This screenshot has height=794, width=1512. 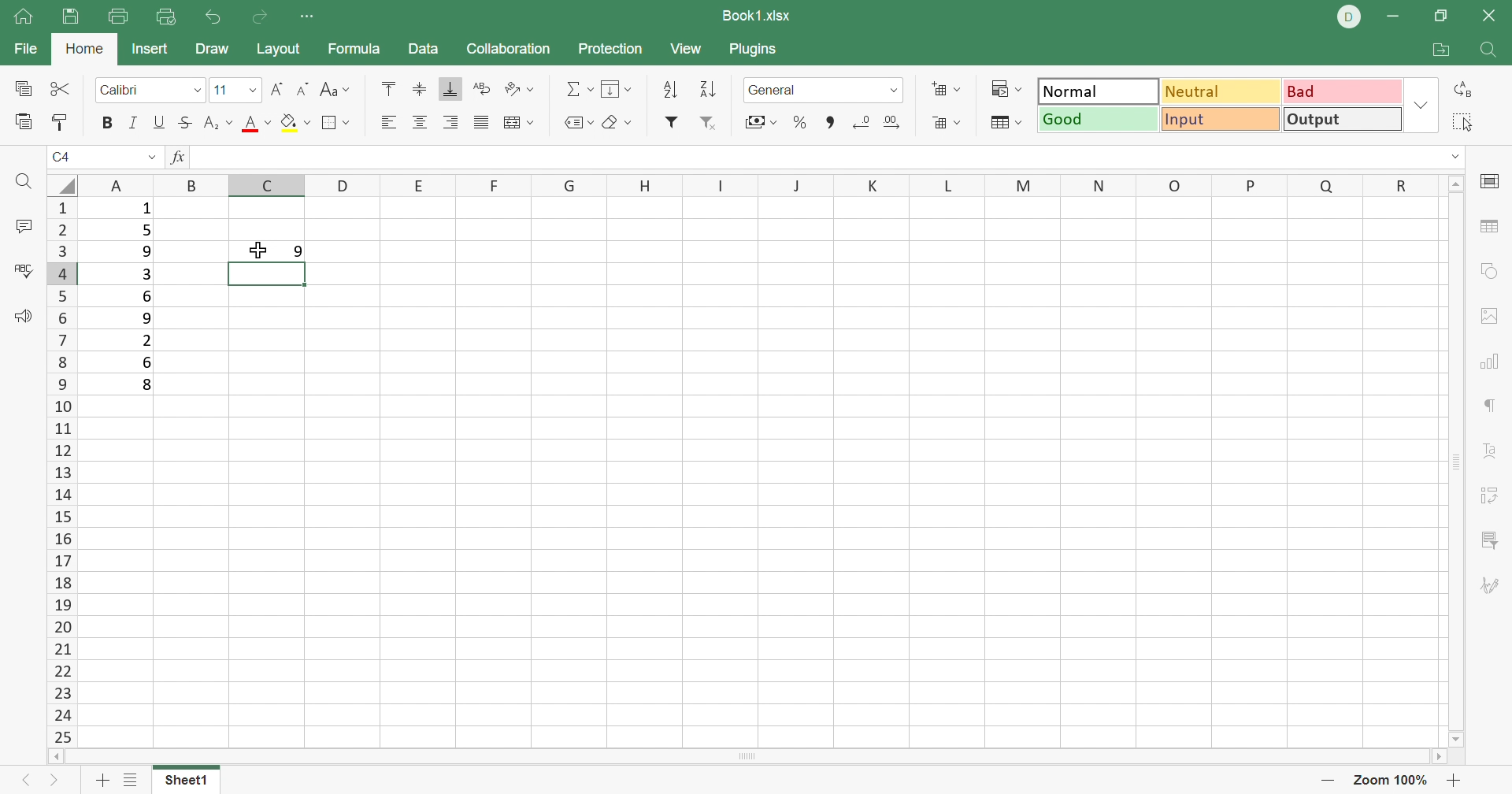 What do you see at coordinates (1488, 405) in the screenshot?
I see `paragraph settings` at bounding box center [1488, 405].